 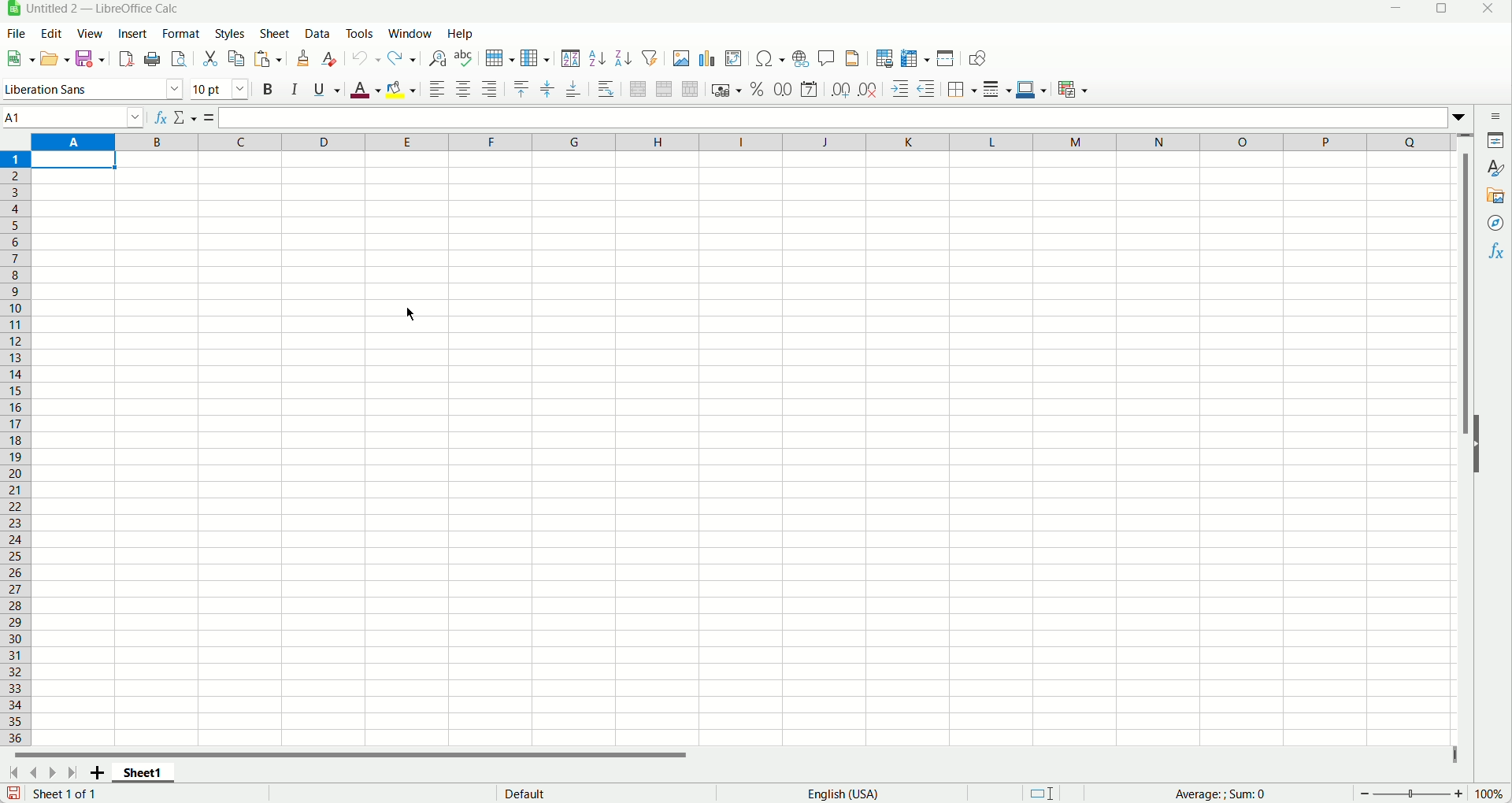 I want to click on Align right, so click(x=490, y=87).